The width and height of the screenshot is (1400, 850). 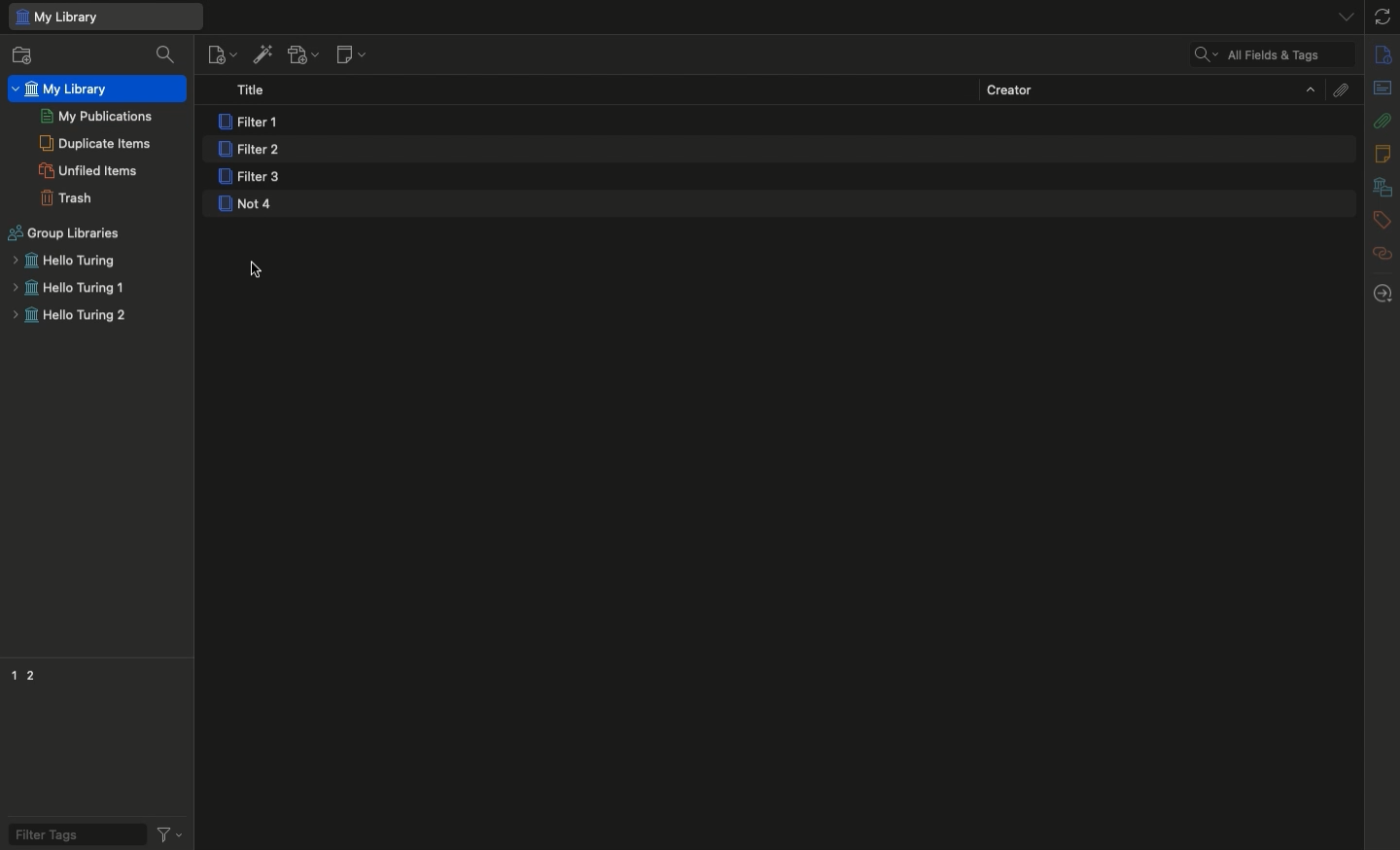 I want to click on Attachments, so click(x=1382, y=120).